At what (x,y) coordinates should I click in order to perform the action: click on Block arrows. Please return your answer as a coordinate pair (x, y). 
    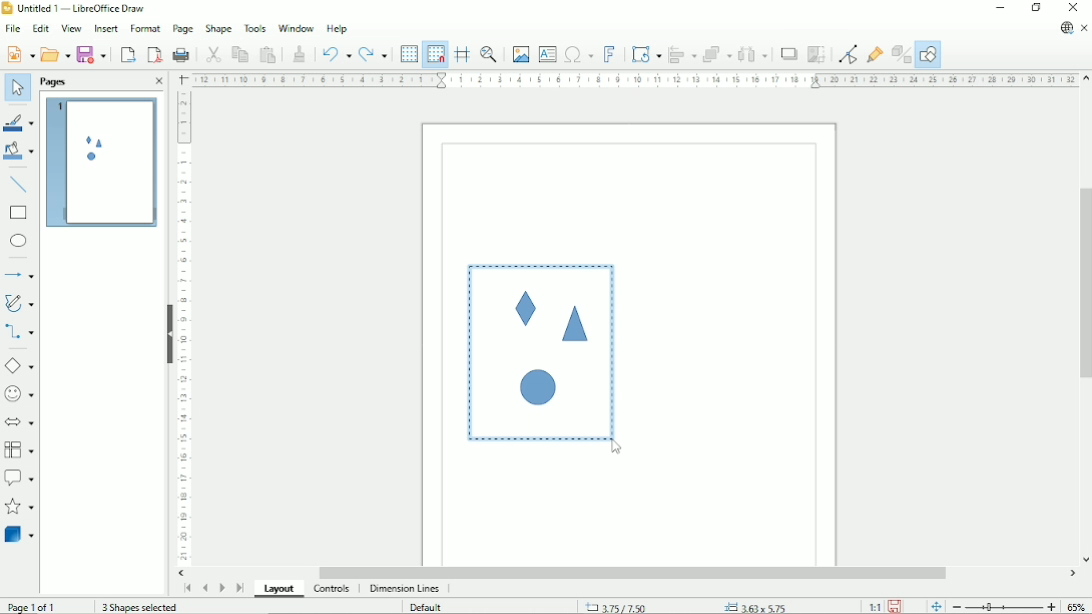
    Looking at the image, I should click on (20, 421).